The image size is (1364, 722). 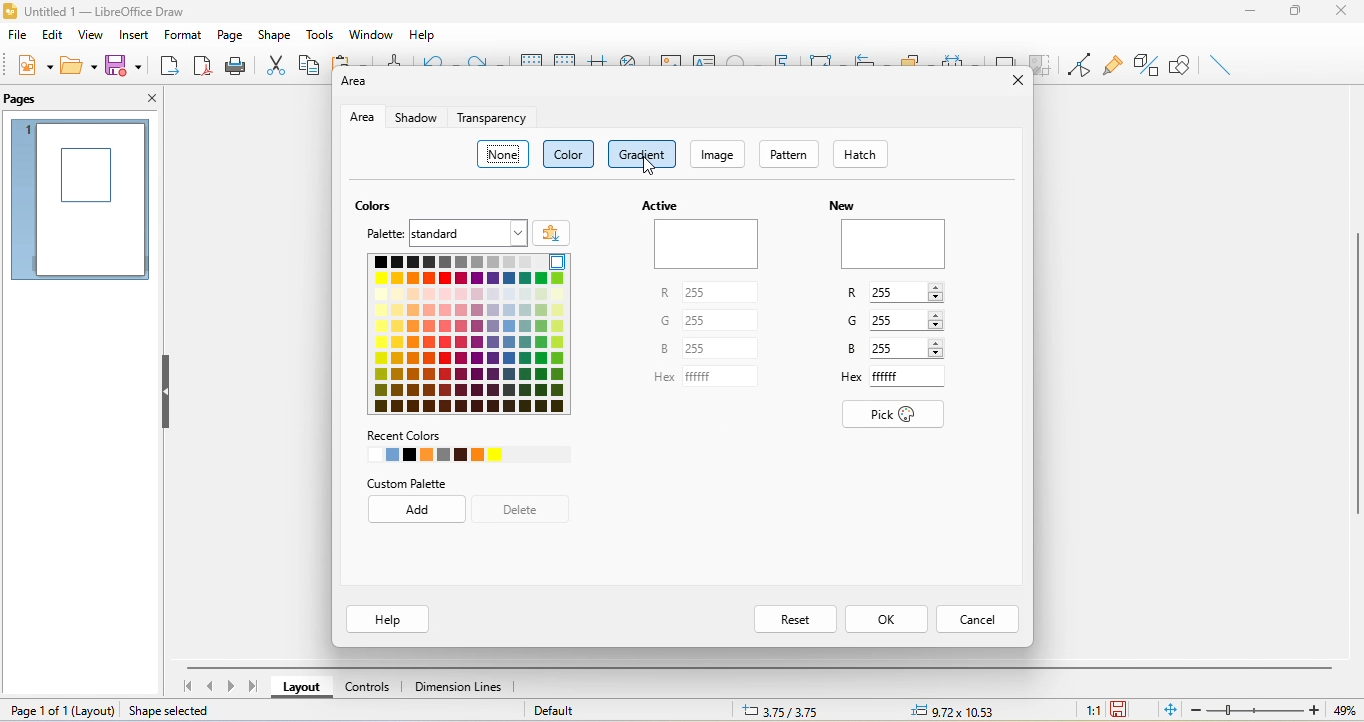 What do you see at coordinates (61, 711) in the screenshot?
I see `page 1 of 1` at bounding box center [61, 711].